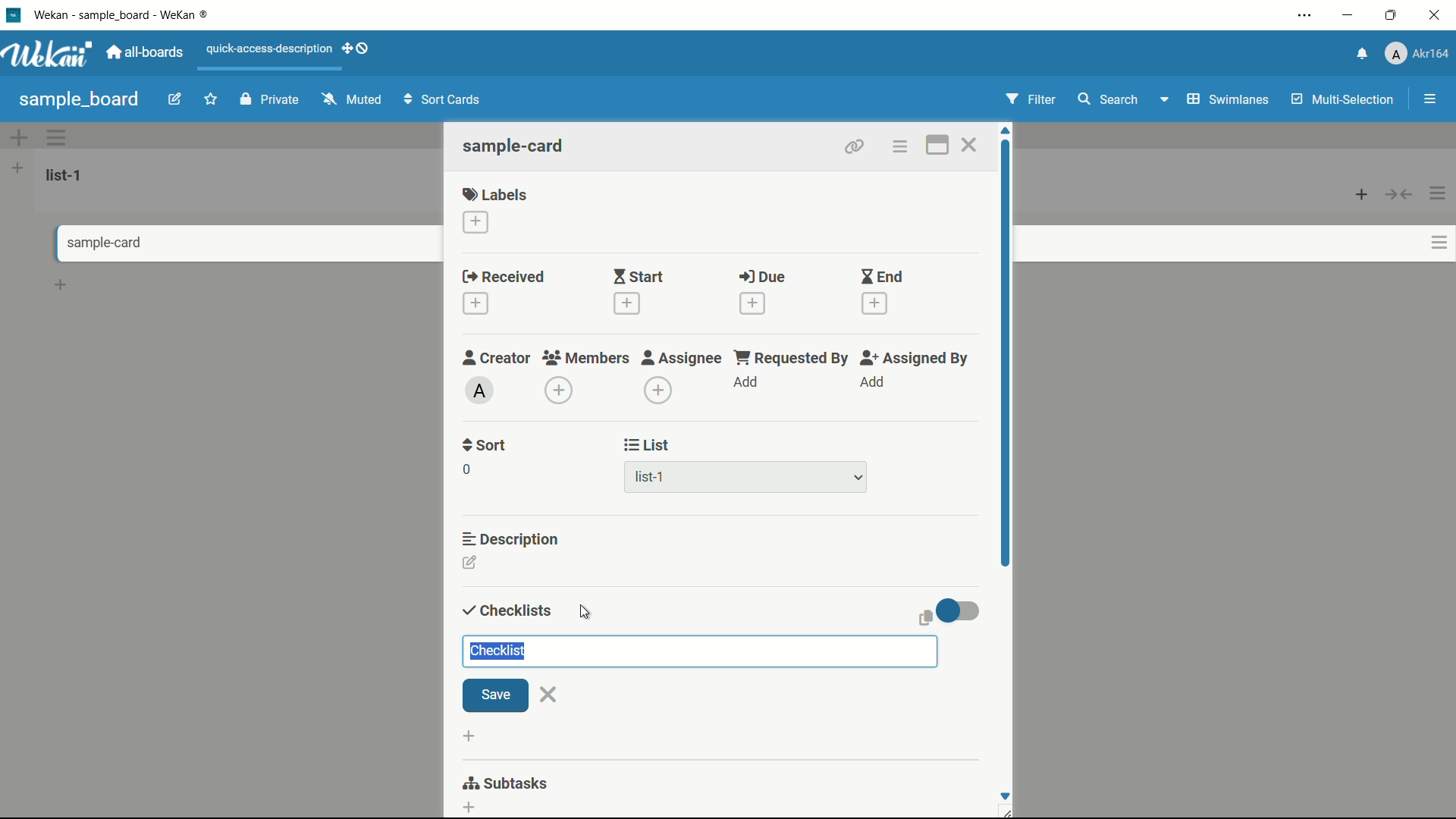 This screenshot has width=1456, height=819. I want to click on scroll bar, so click(1007, 378).